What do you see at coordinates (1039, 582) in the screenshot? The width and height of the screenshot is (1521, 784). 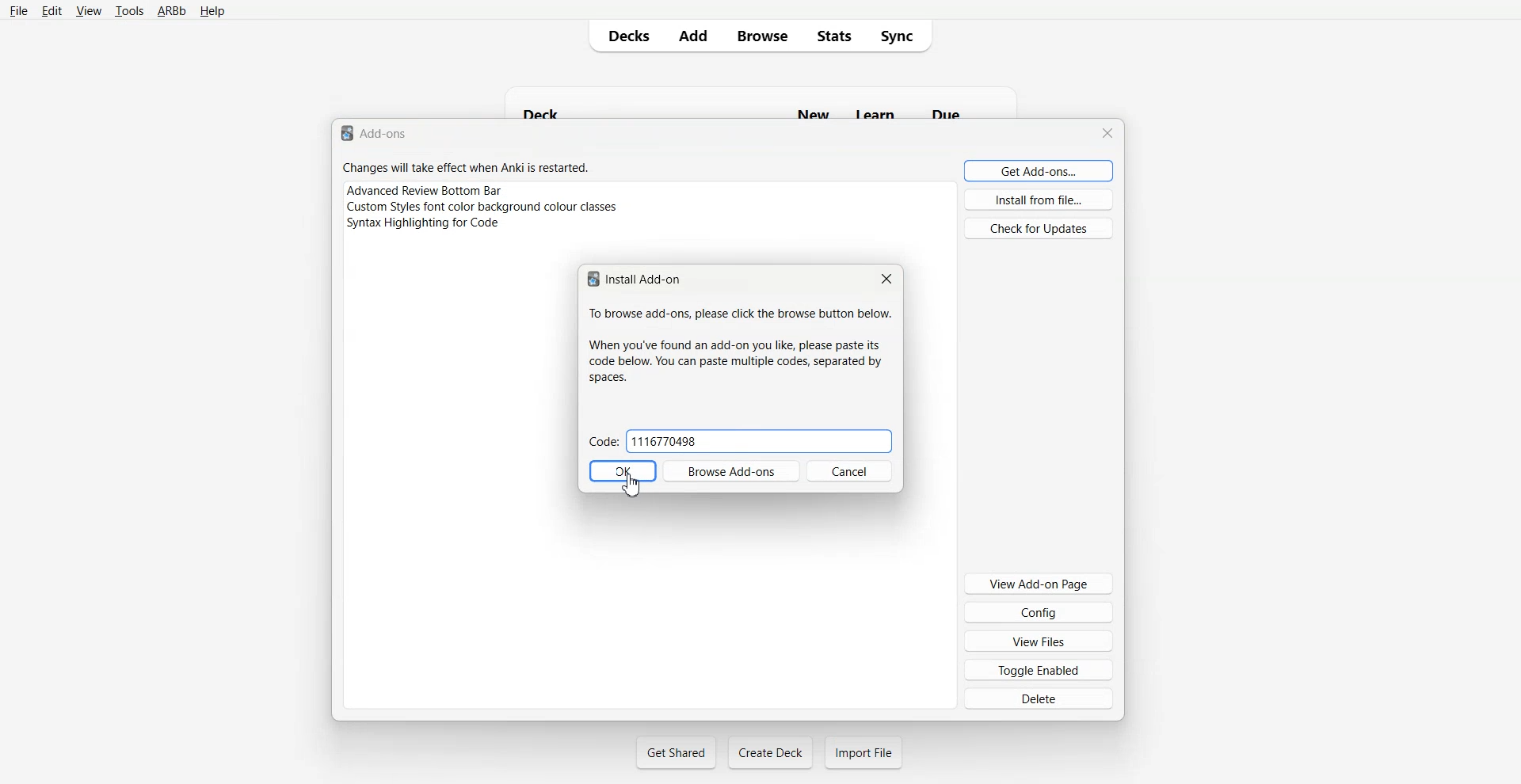 I see `View Add-on Page` at bounding box center [1039, 582].